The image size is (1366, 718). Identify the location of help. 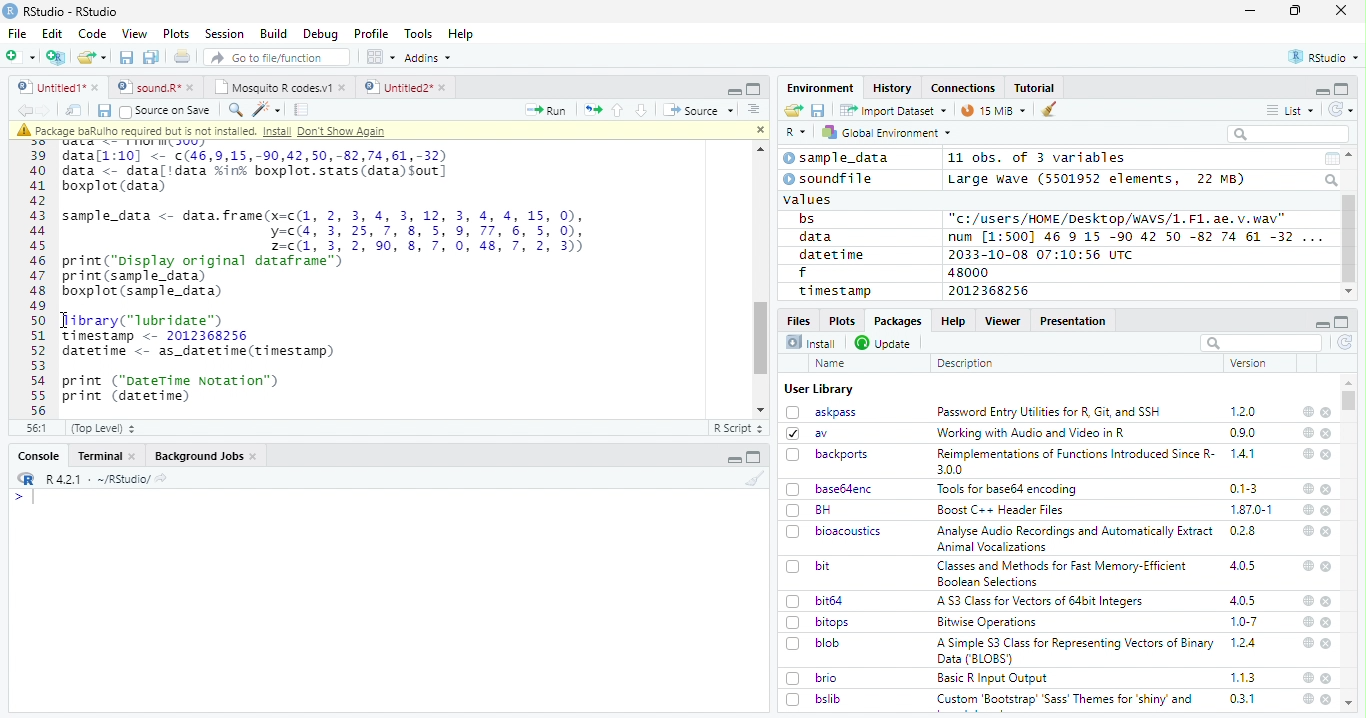
(1306, 530).